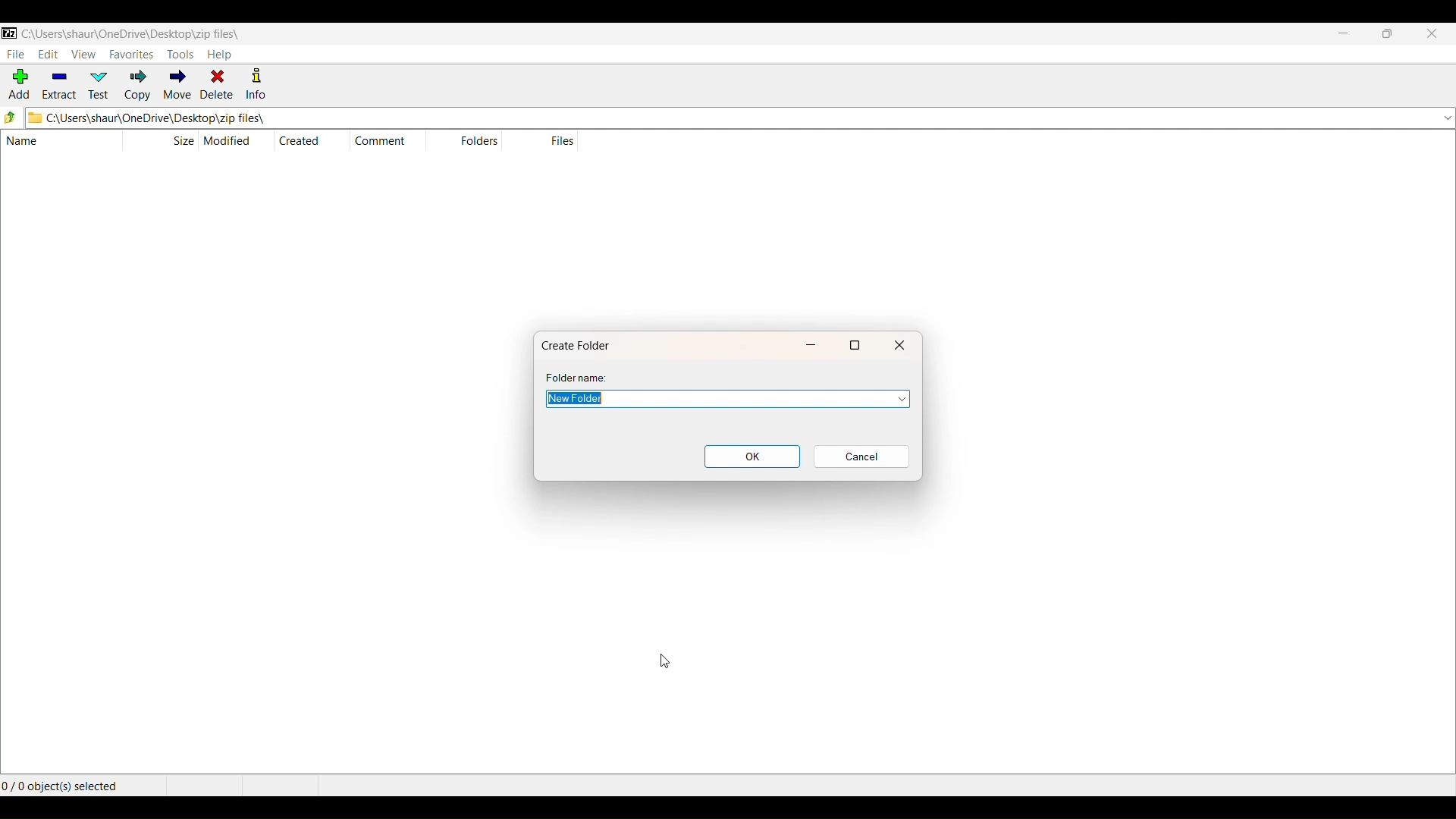  What do you see at coordinates (721, 118) in the screenshot?
I see `CURRENT FOLDER PATH` at bounding box center [721, 118].